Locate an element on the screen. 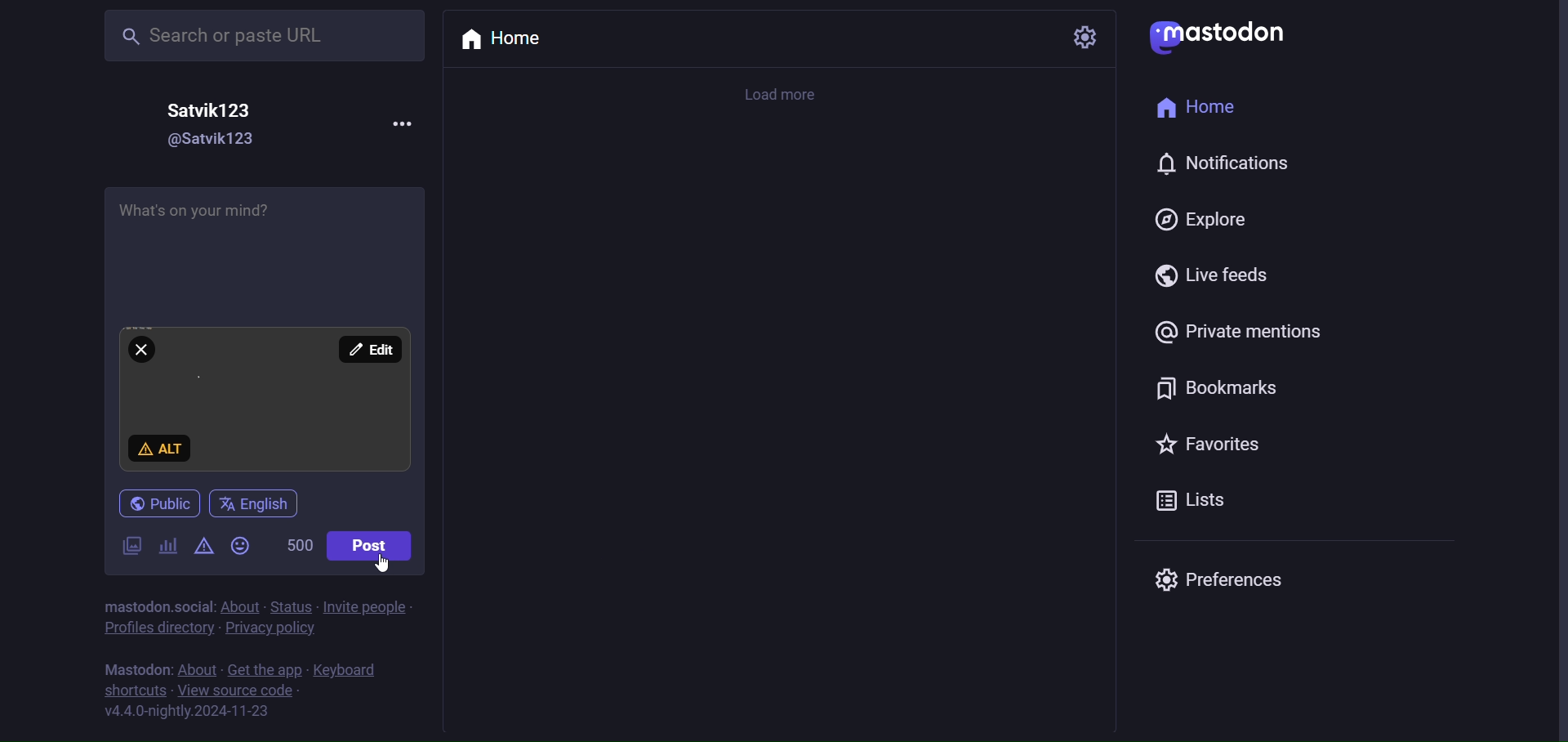 The height and width of the screenshot is (742, 1568). source code is located at coordinates (237, 691).